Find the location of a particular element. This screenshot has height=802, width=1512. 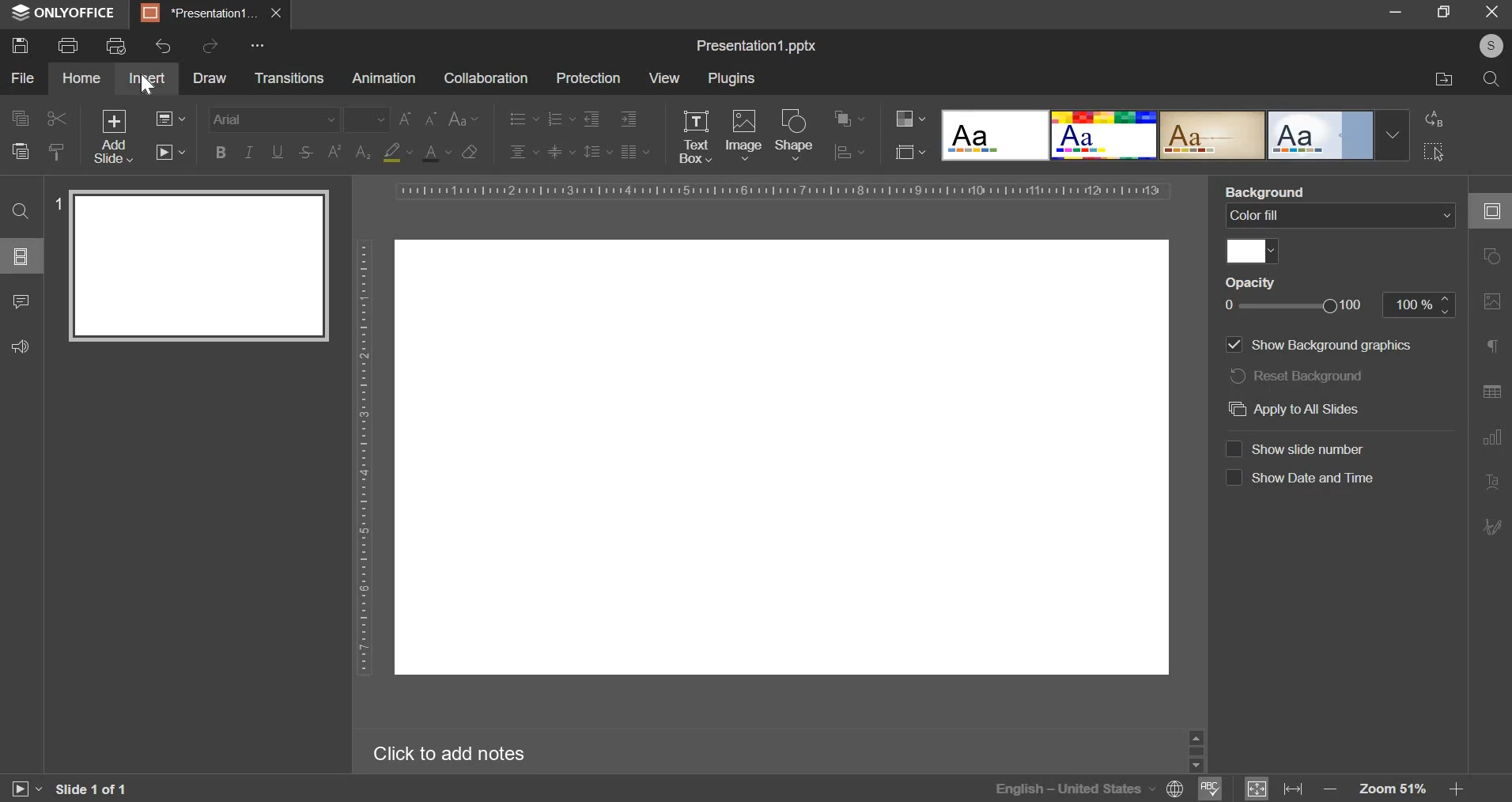

vertical alignment is located at coordinates (561, 152).